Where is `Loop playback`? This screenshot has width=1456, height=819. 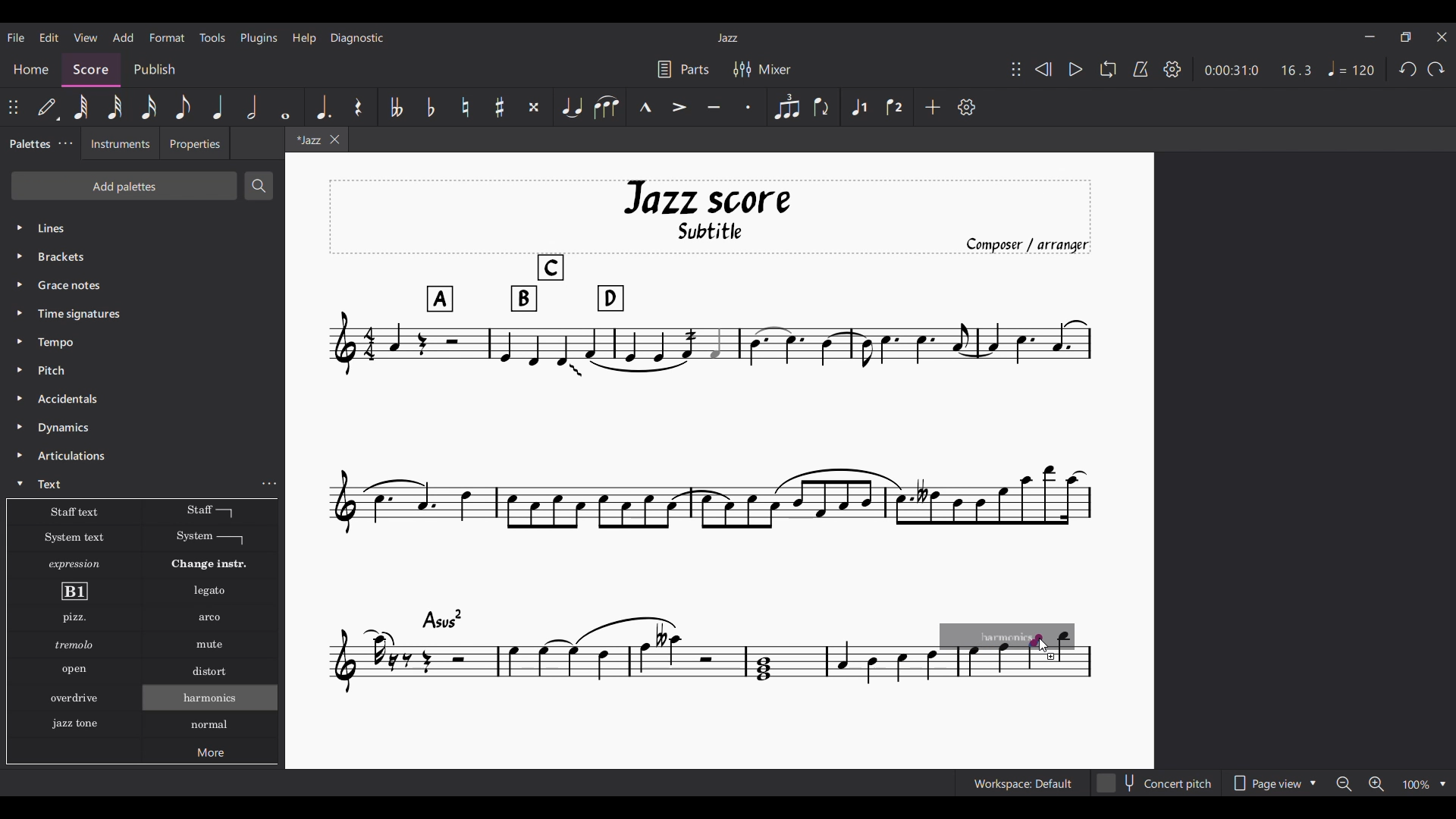 Loop playback is located at coordinates (1109, 69).